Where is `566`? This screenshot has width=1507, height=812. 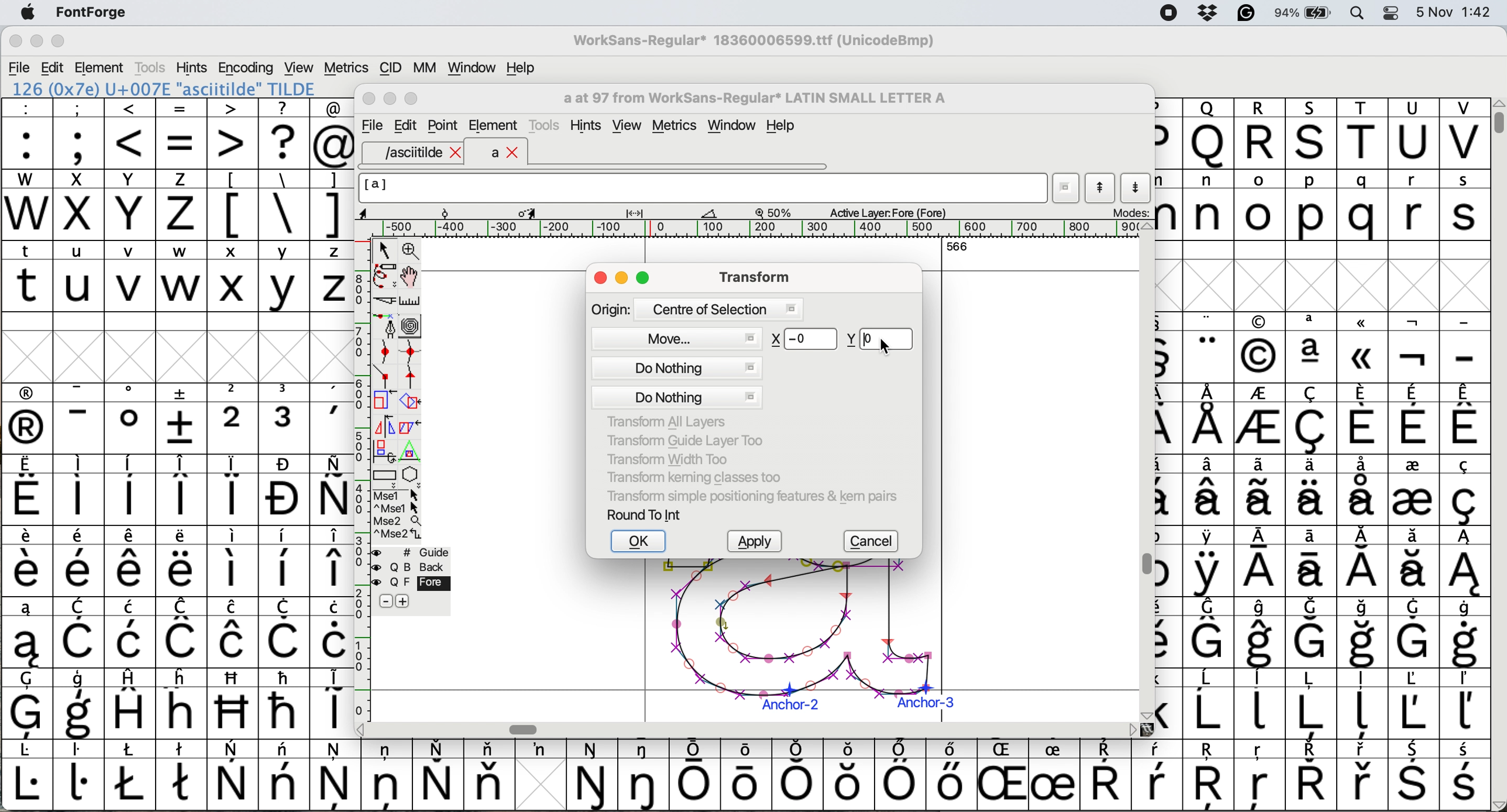
566 is located at coordinates (957, 246).